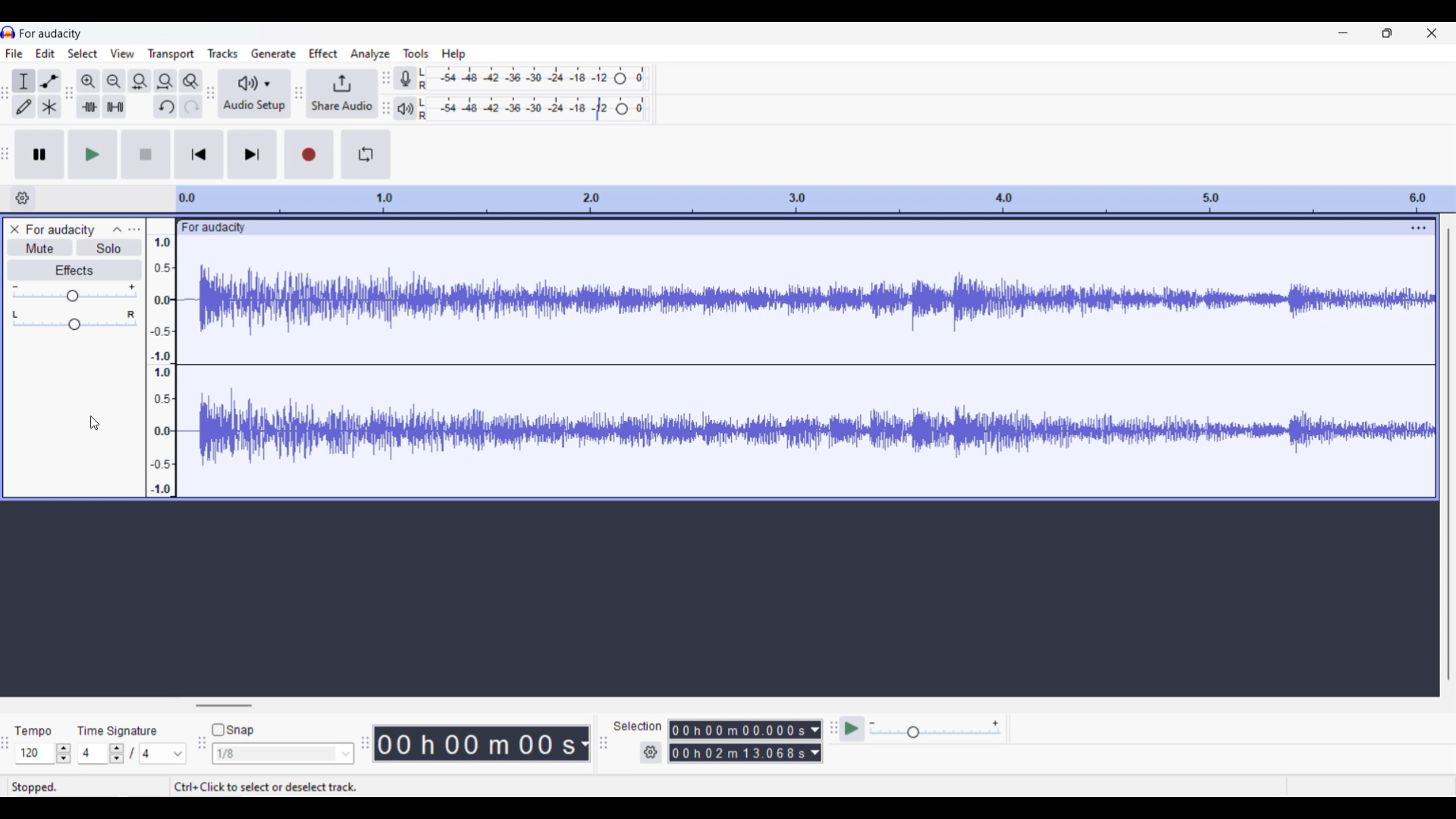  What do you see at coordinates (191, 106) in the screenshot?
I see `Redo` at bounding box center [191, 106].